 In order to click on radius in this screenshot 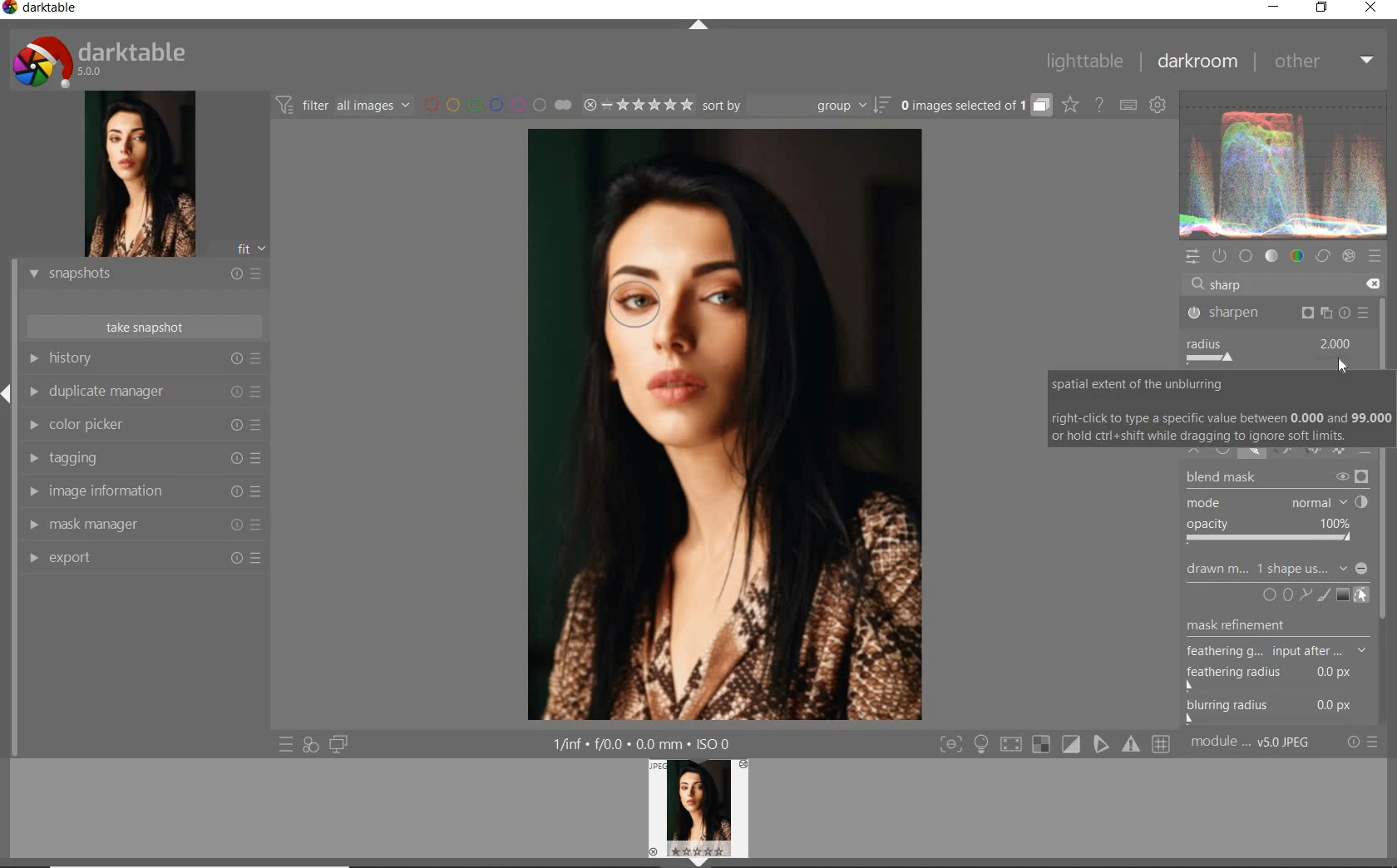, I will do `click(1275, 350)`.